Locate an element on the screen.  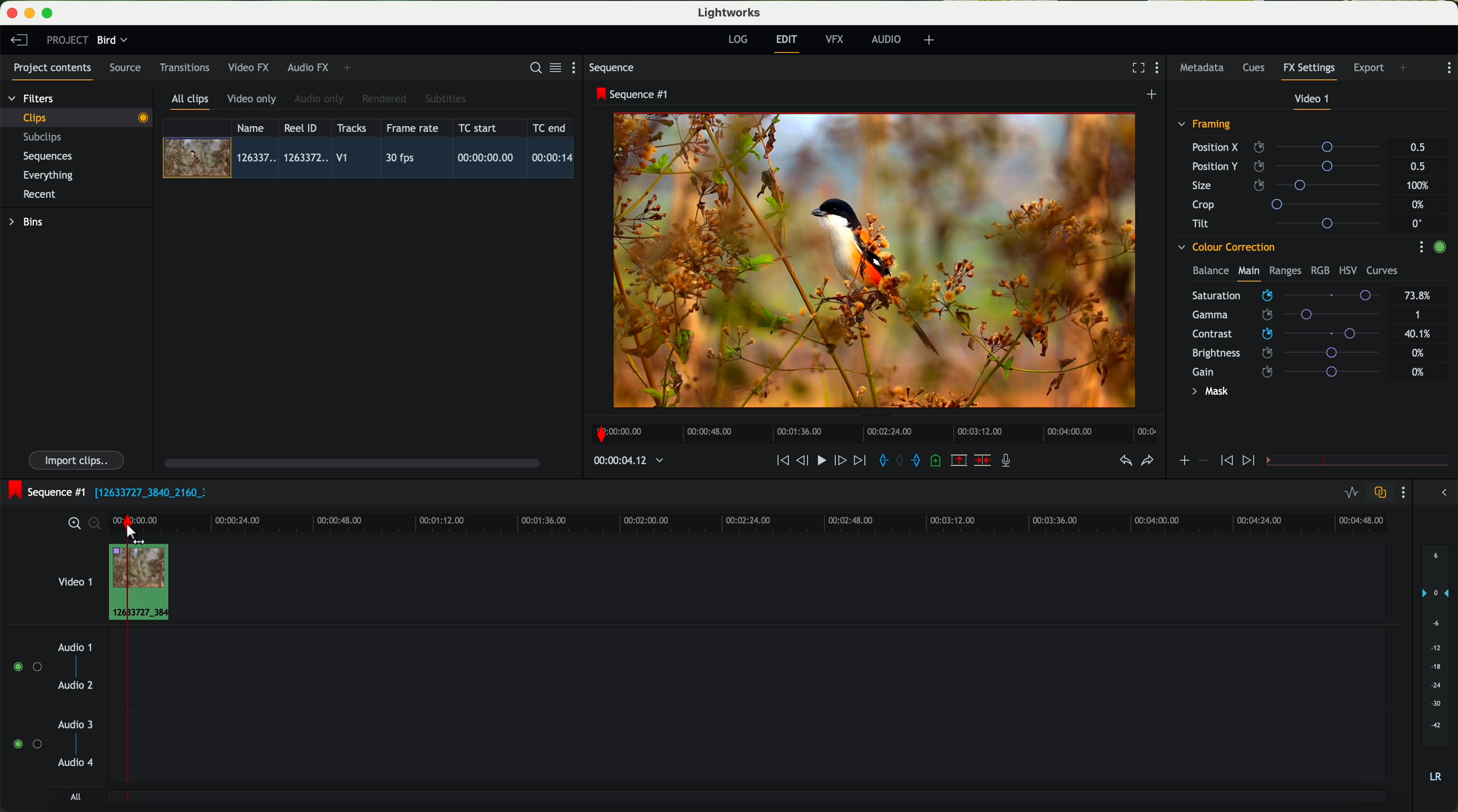
Lightworks is located at coordinates (730, 12).